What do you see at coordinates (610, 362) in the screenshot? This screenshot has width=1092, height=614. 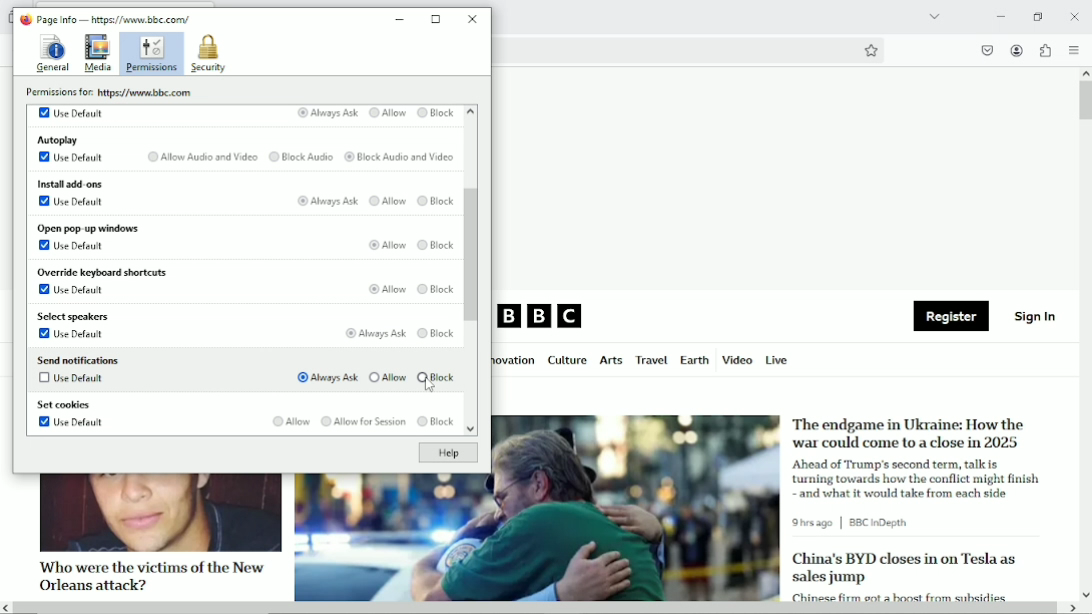 I see `Arts` at bounding box center [610, 362].